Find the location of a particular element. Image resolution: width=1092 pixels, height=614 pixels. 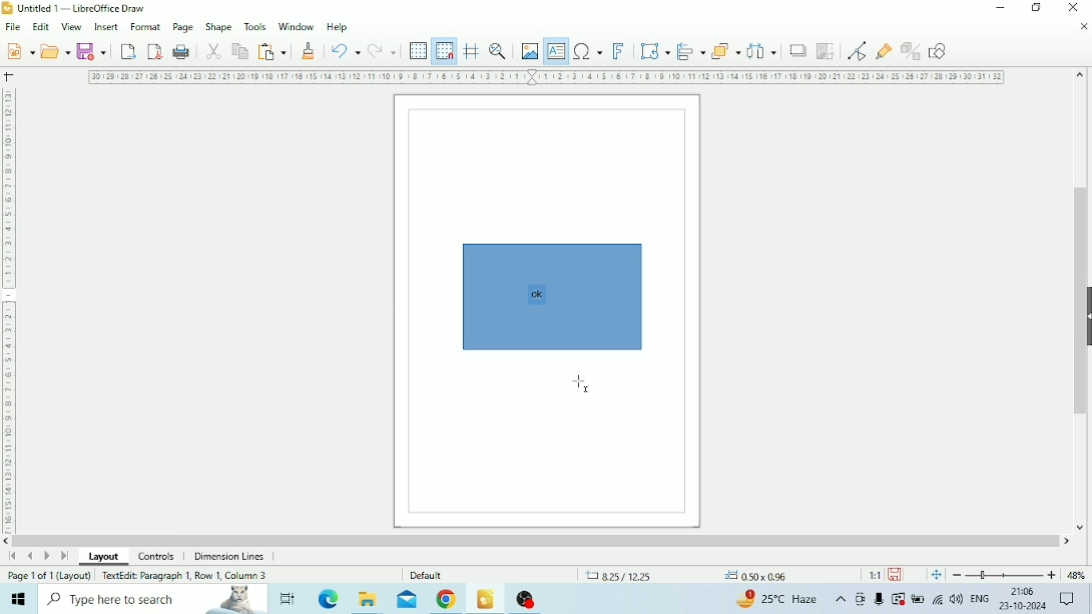

Insert Special Characters is located at coordinates (588, 51).